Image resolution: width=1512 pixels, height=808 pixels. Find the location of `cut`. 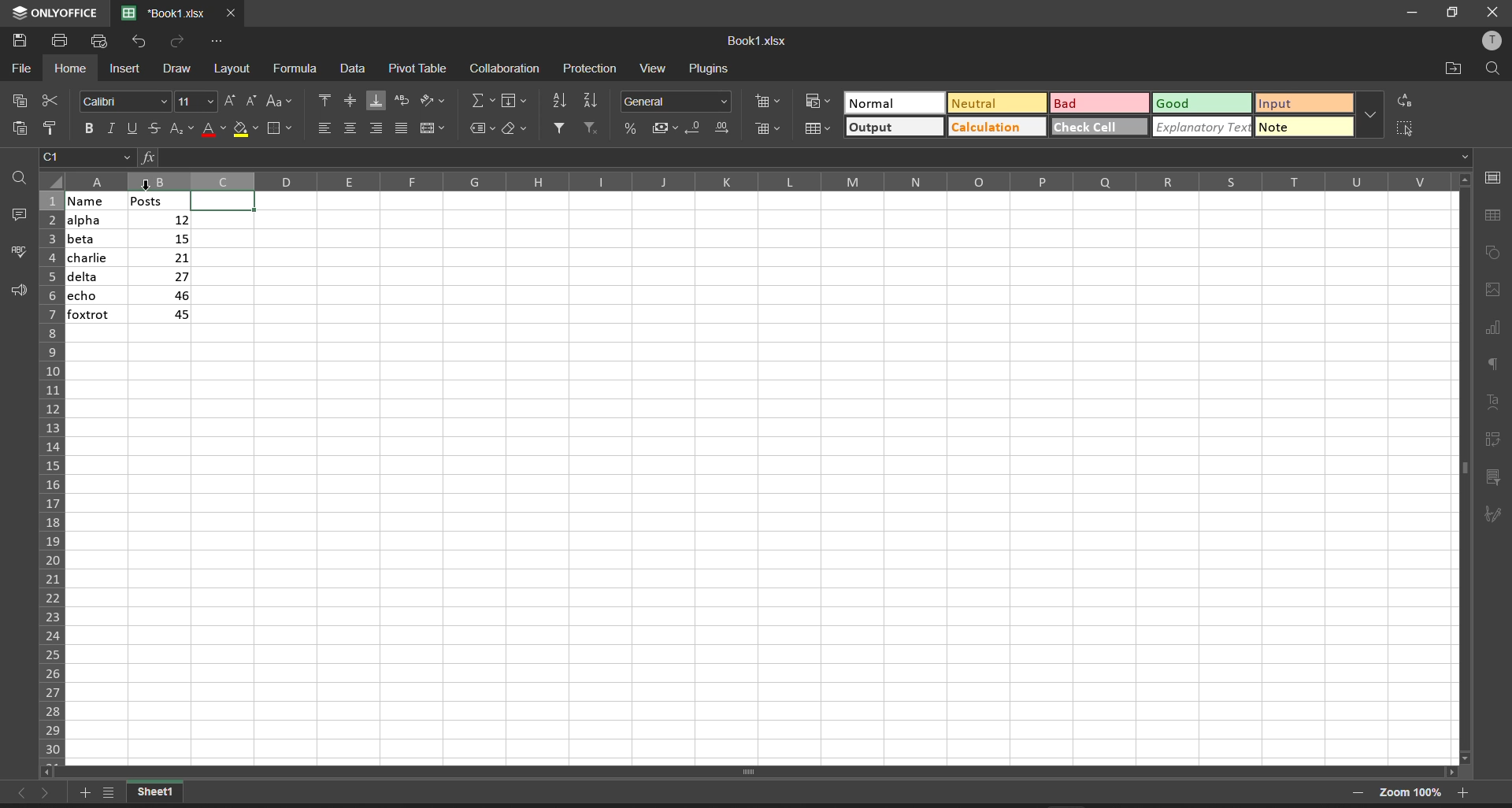

cut is located at coordinates (53, 102).